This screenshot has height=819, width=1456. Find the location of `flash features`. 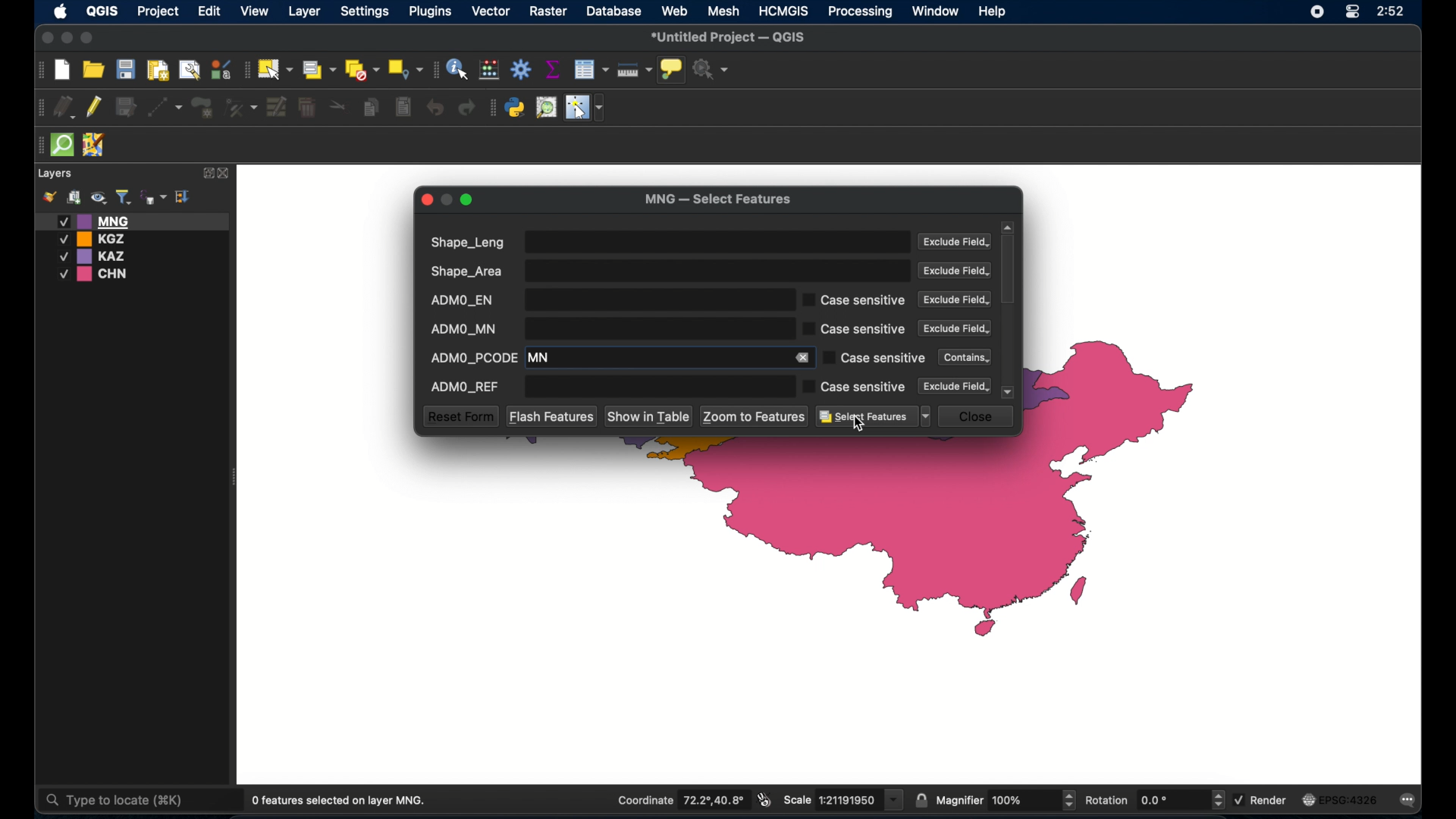

flash features is located at coordinates (551, 416).